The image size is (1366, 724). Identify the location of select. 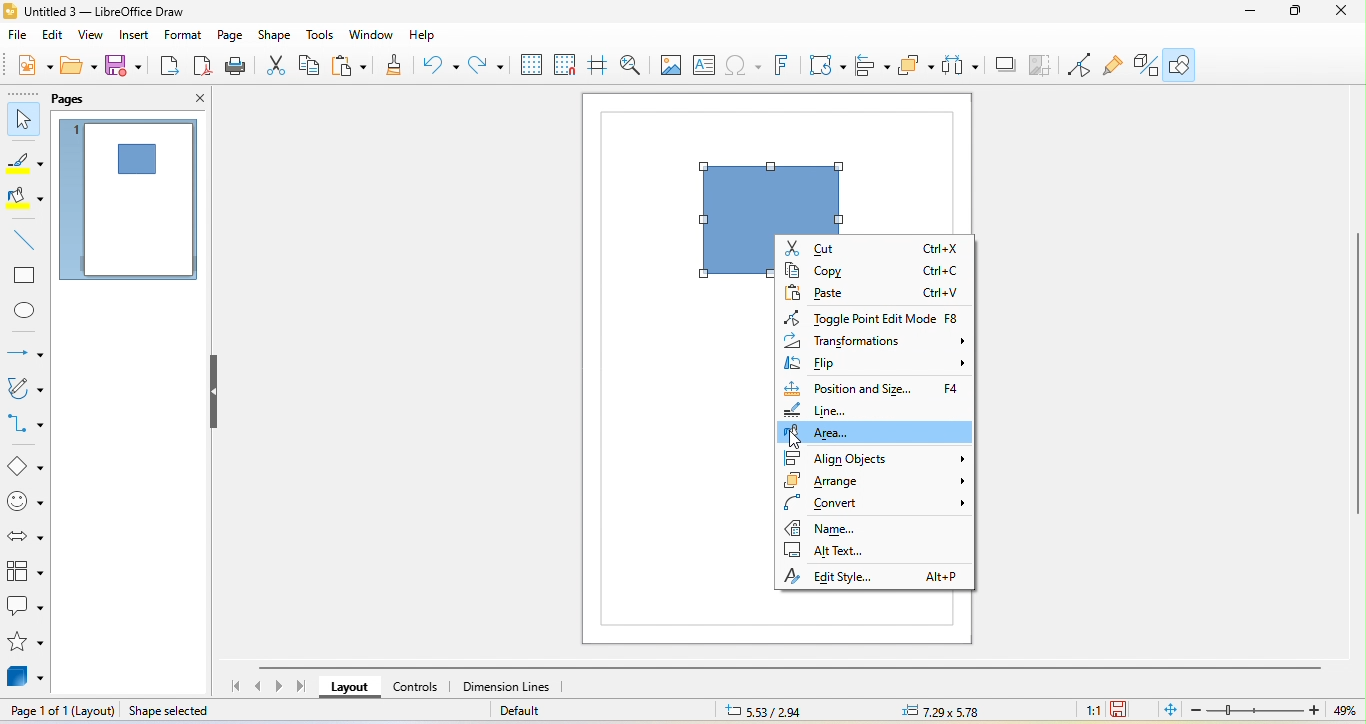
(23, 122).